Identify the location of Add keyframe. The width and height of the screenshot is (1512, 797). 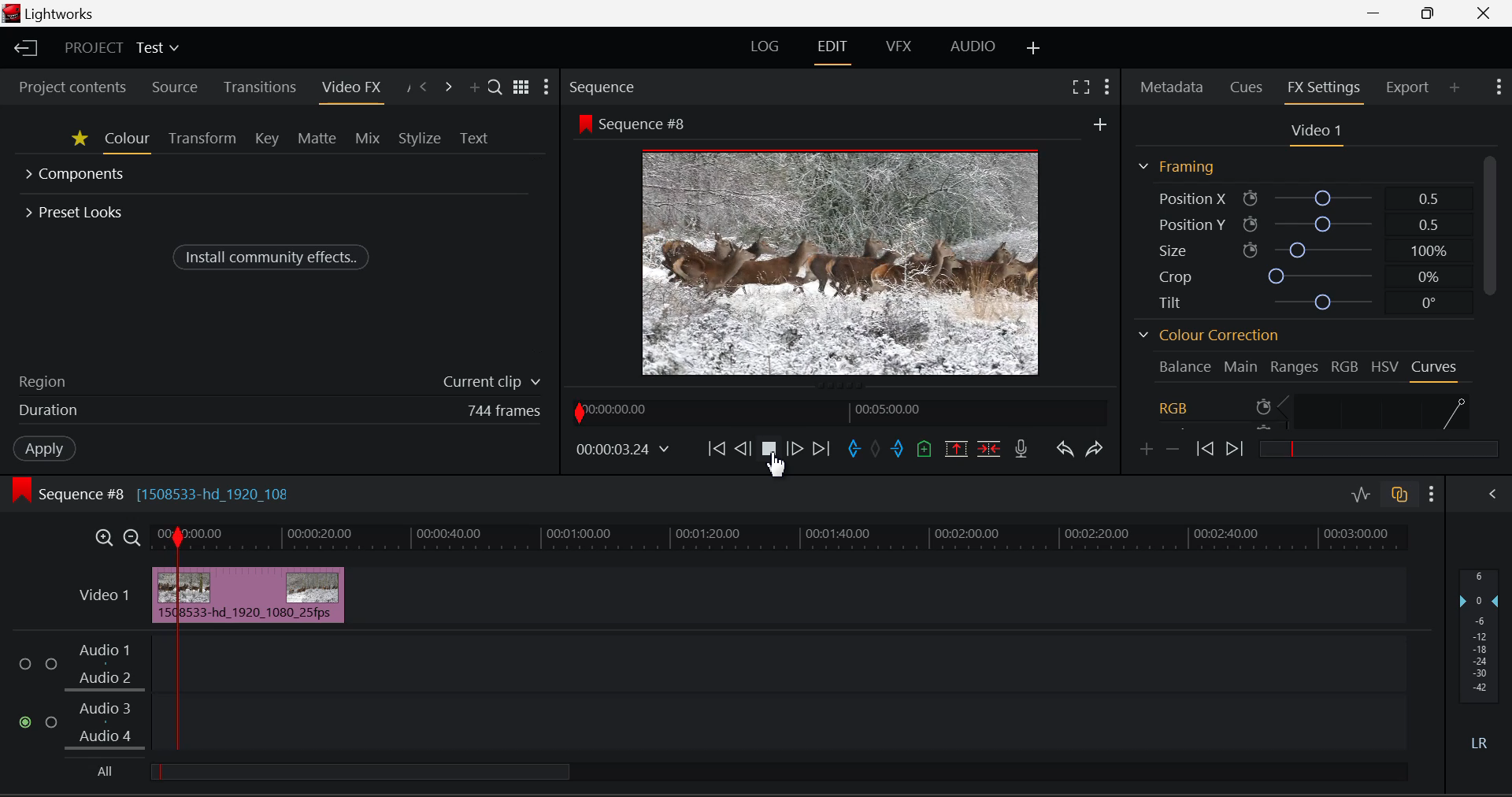
(1144, 450).